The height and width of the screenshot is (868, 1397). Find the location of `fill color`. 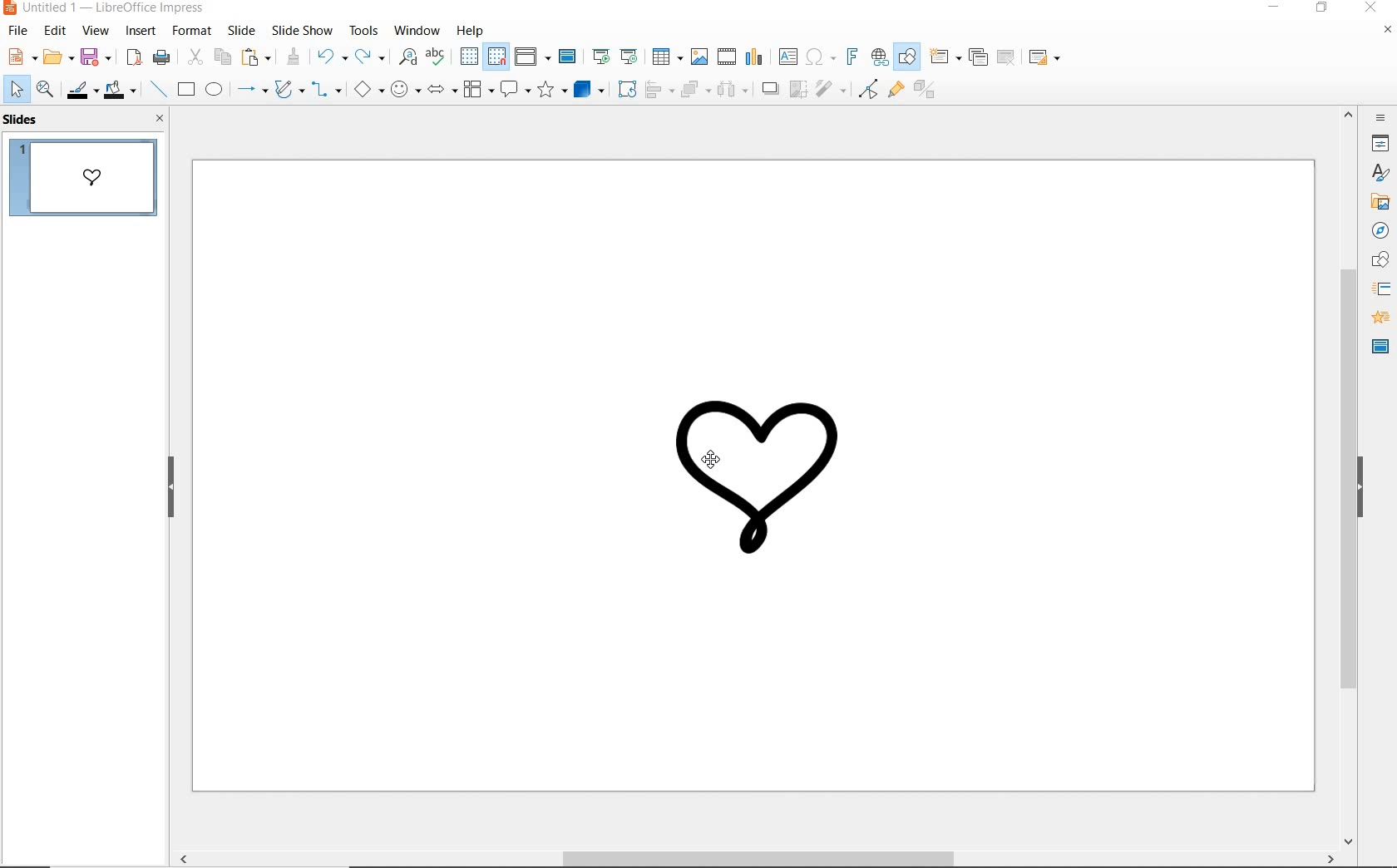

fill color is located at coordinates (120, 89).